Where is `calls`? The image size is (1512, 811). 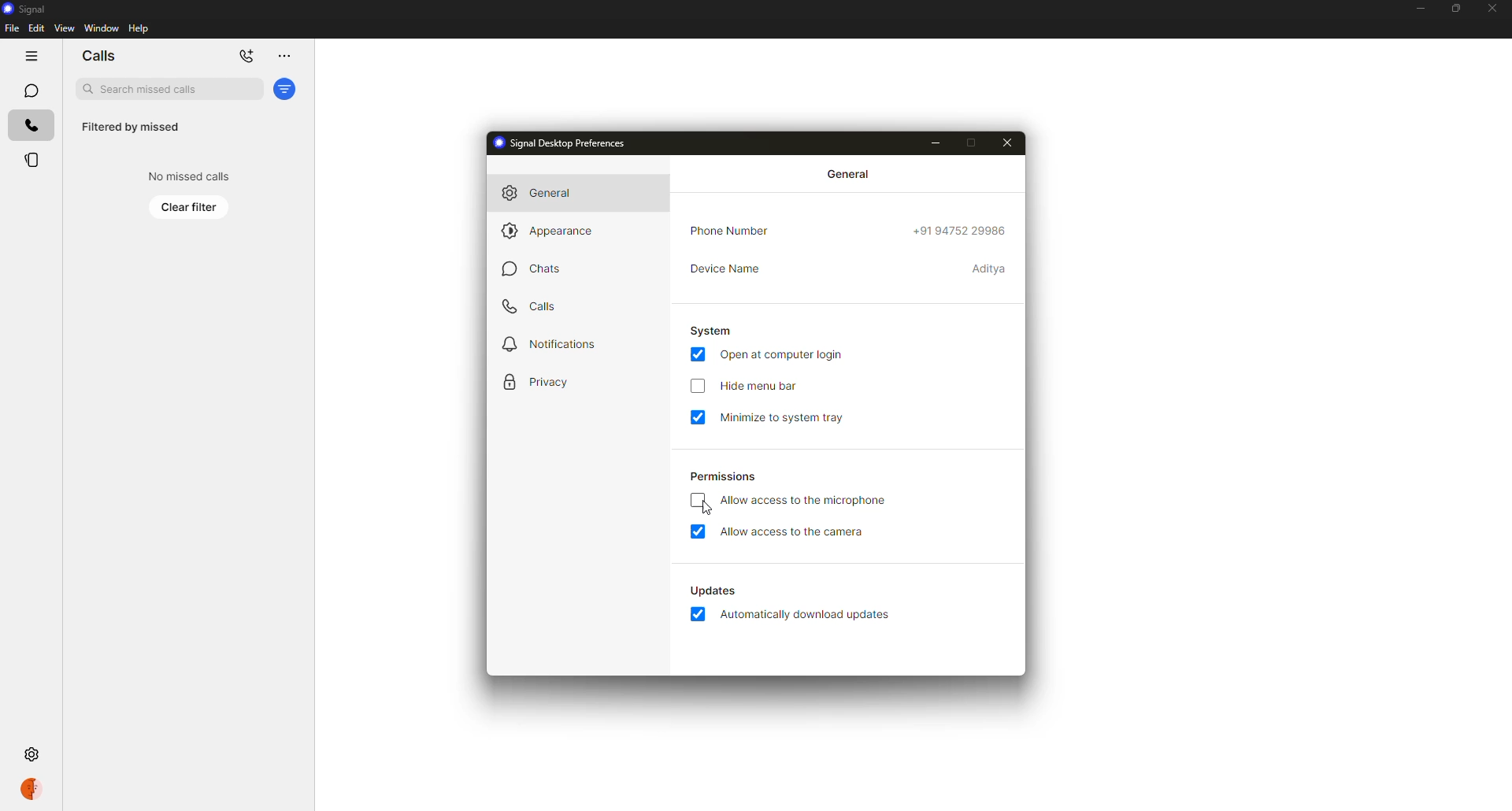 calls is located at coordinates (98, 56).